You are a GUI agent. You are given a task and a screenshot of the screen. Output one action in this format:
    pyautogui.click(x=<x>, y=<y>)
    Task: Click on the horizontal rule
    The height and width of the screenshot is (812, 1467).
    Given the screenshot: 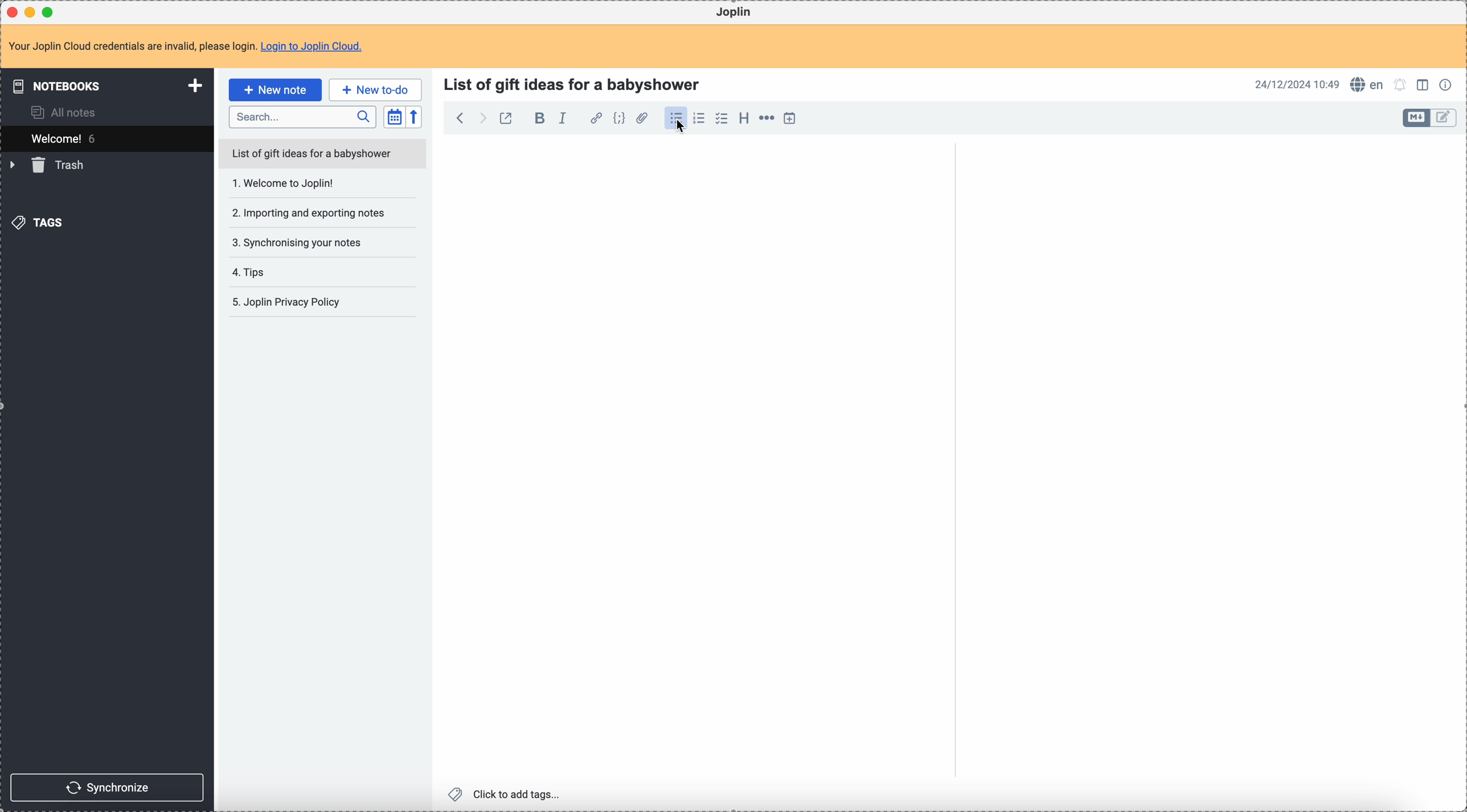 What is the action you would take?
    pyautogui.click(x=768, y=119)
    